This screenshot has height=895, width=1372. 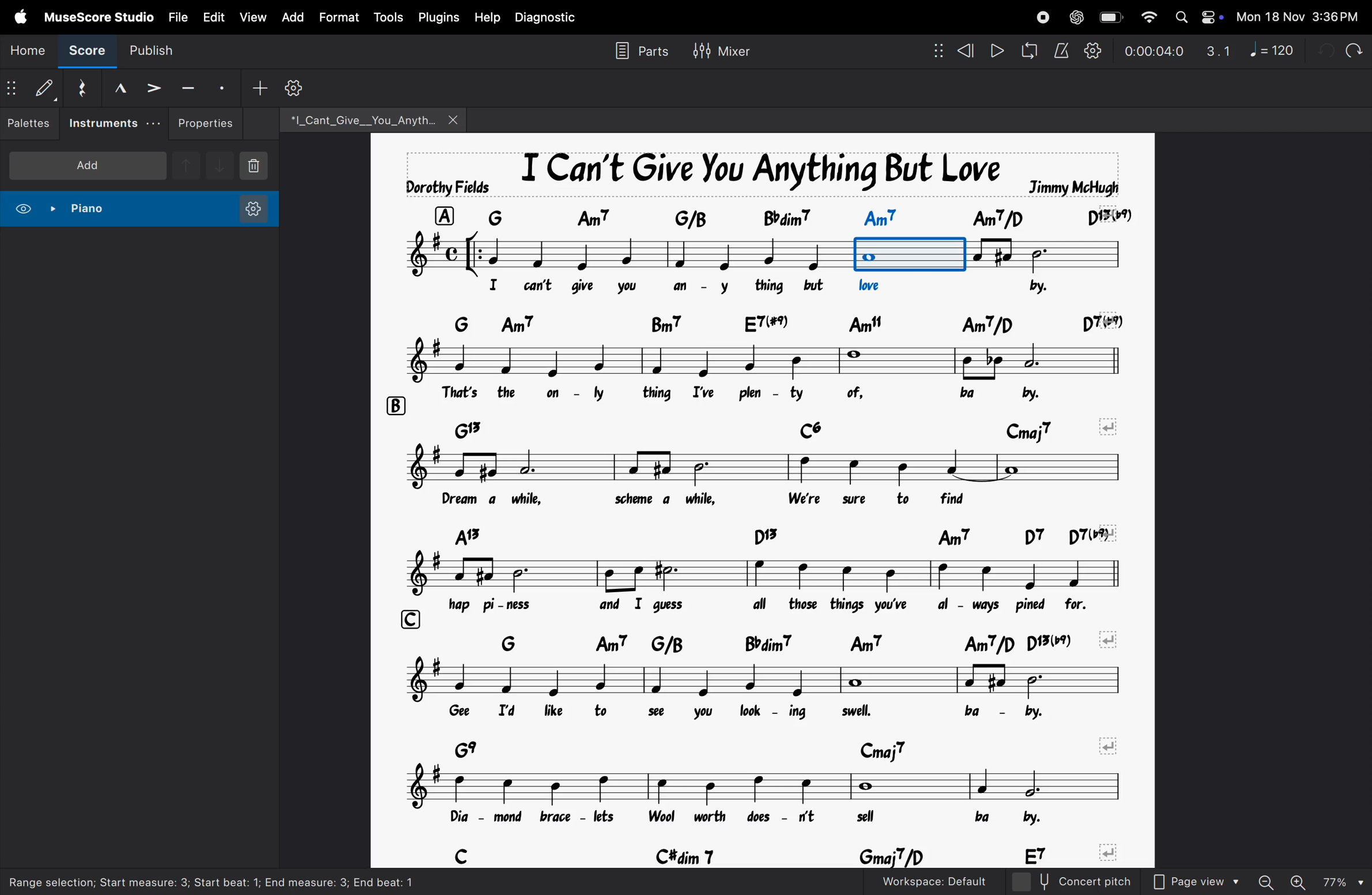 I want to click on publish, so click(x=149, y=52).